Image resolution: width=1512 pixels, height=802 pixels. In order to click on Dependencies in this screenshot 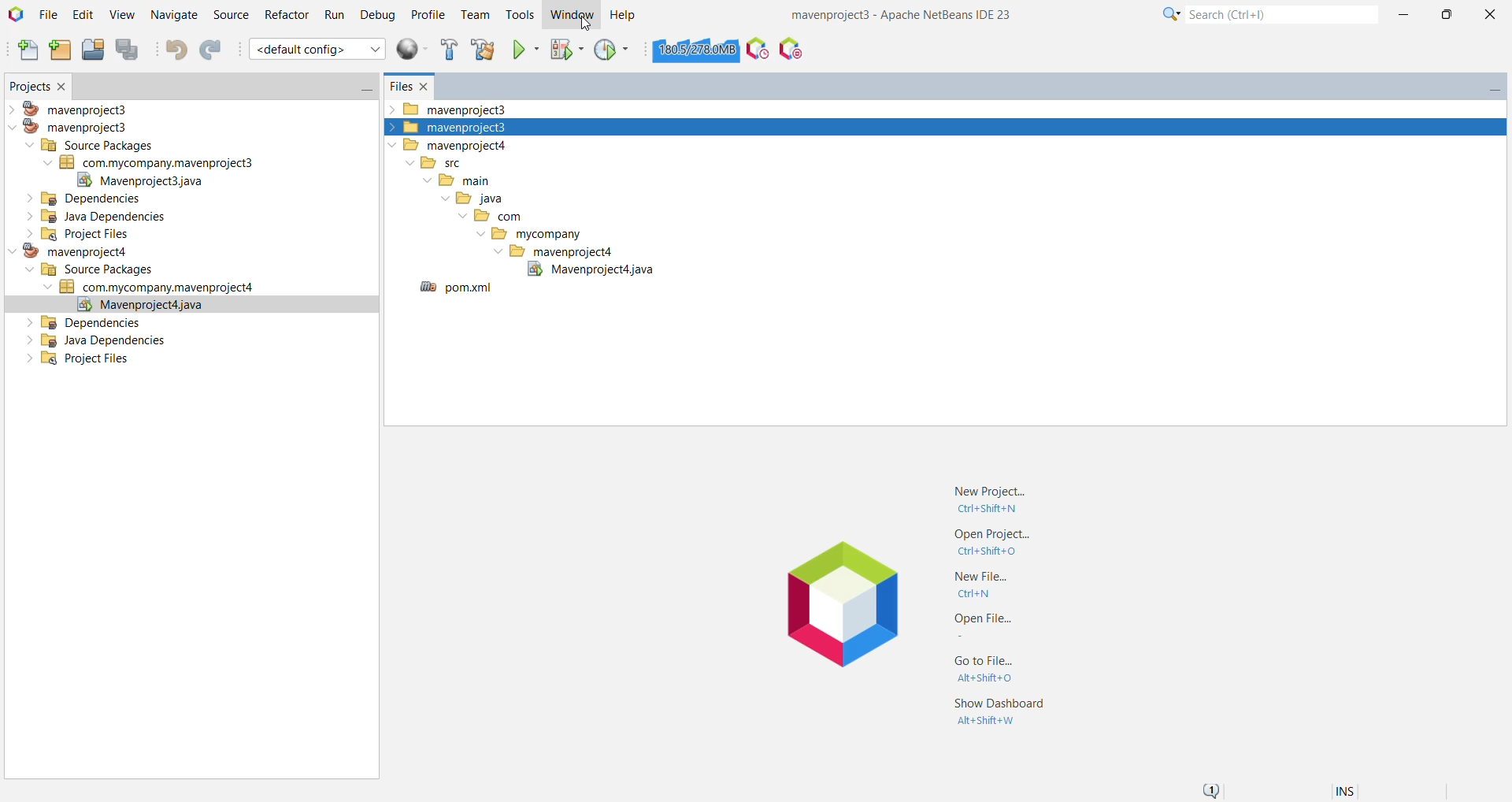, I will do `click(85, 323)`.